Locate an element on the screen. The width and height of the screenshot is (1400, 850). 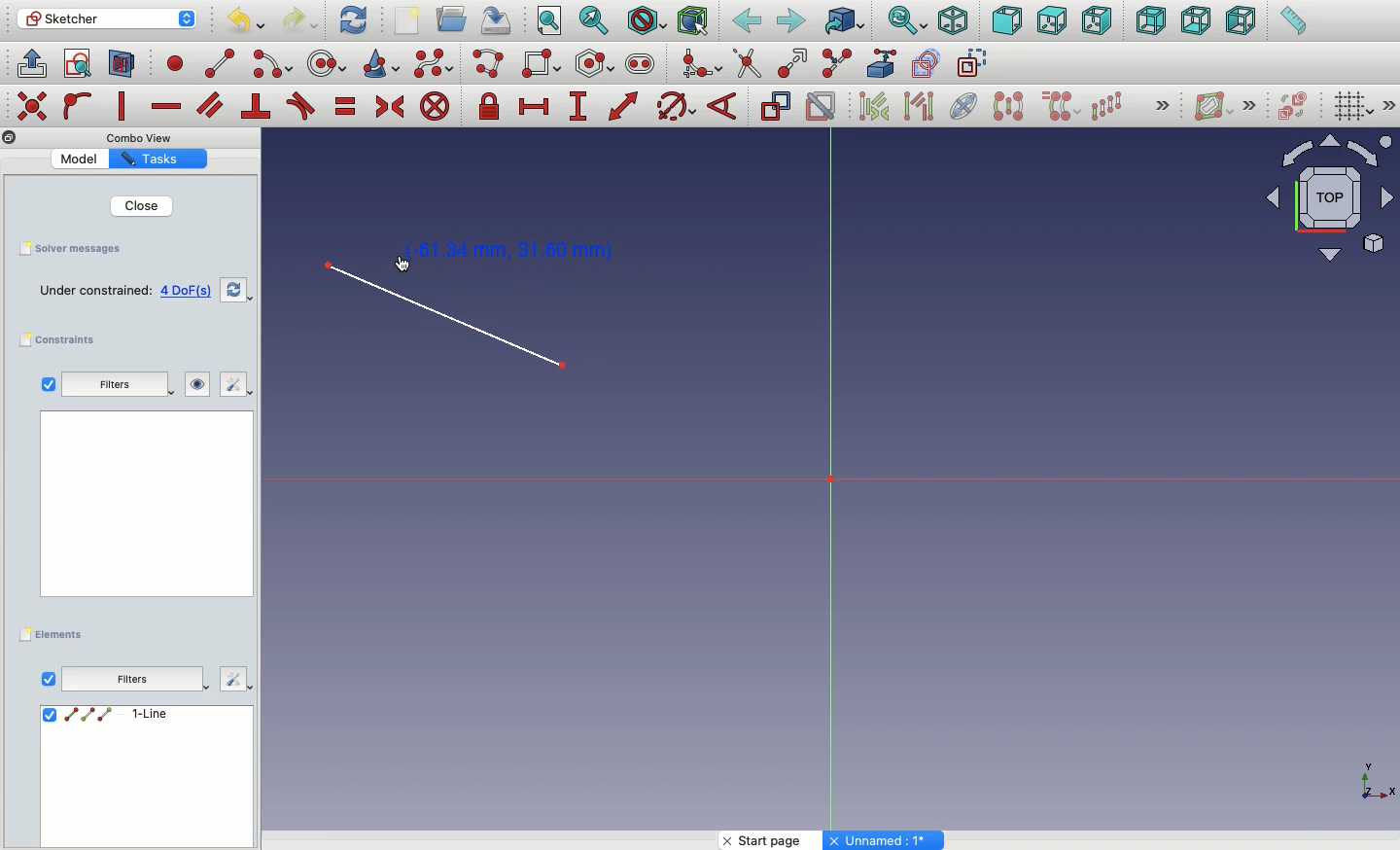
Split edge is located at coordinates (838, 62).